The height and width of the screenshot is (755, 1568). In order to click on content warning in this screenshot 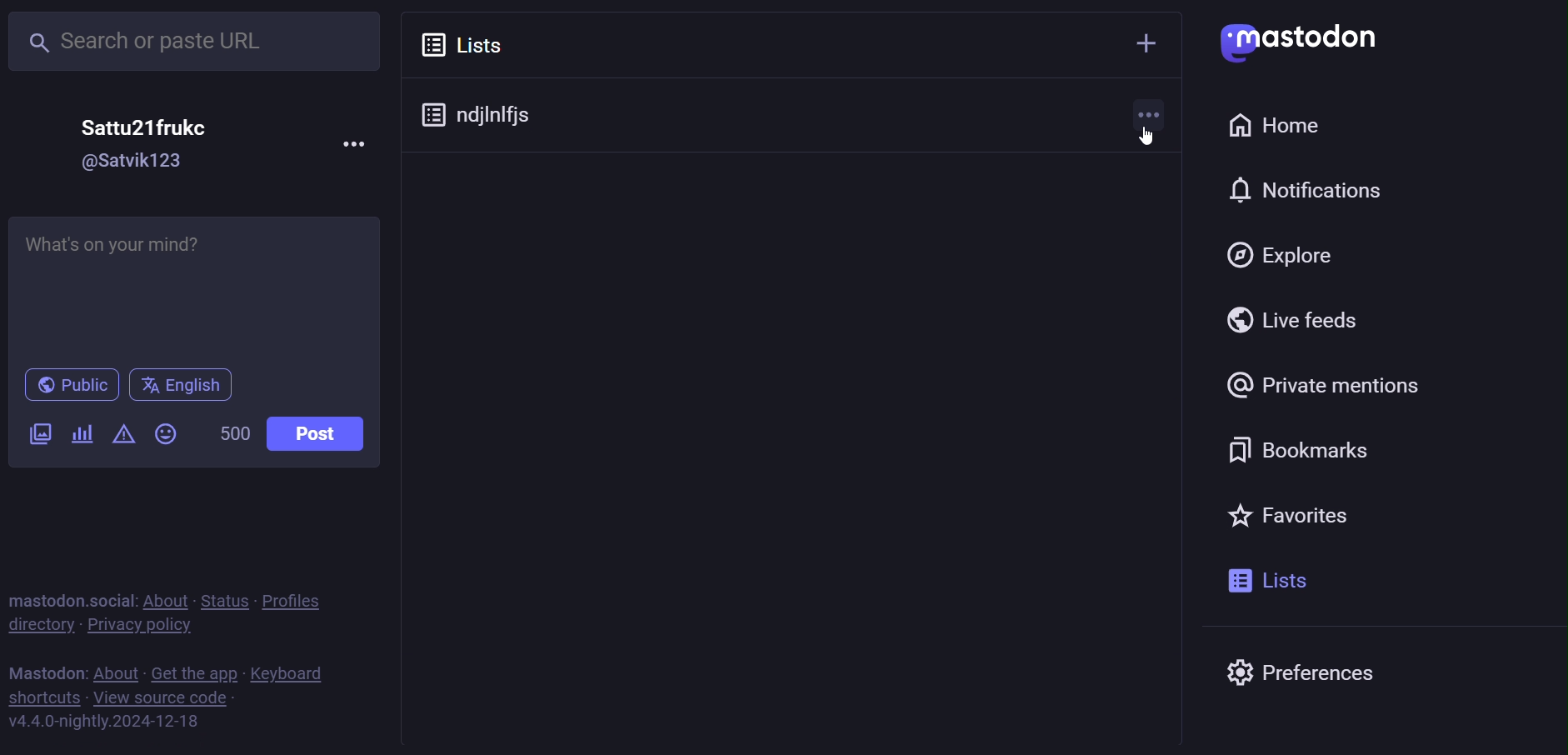, I will do `click(124, 437)`.